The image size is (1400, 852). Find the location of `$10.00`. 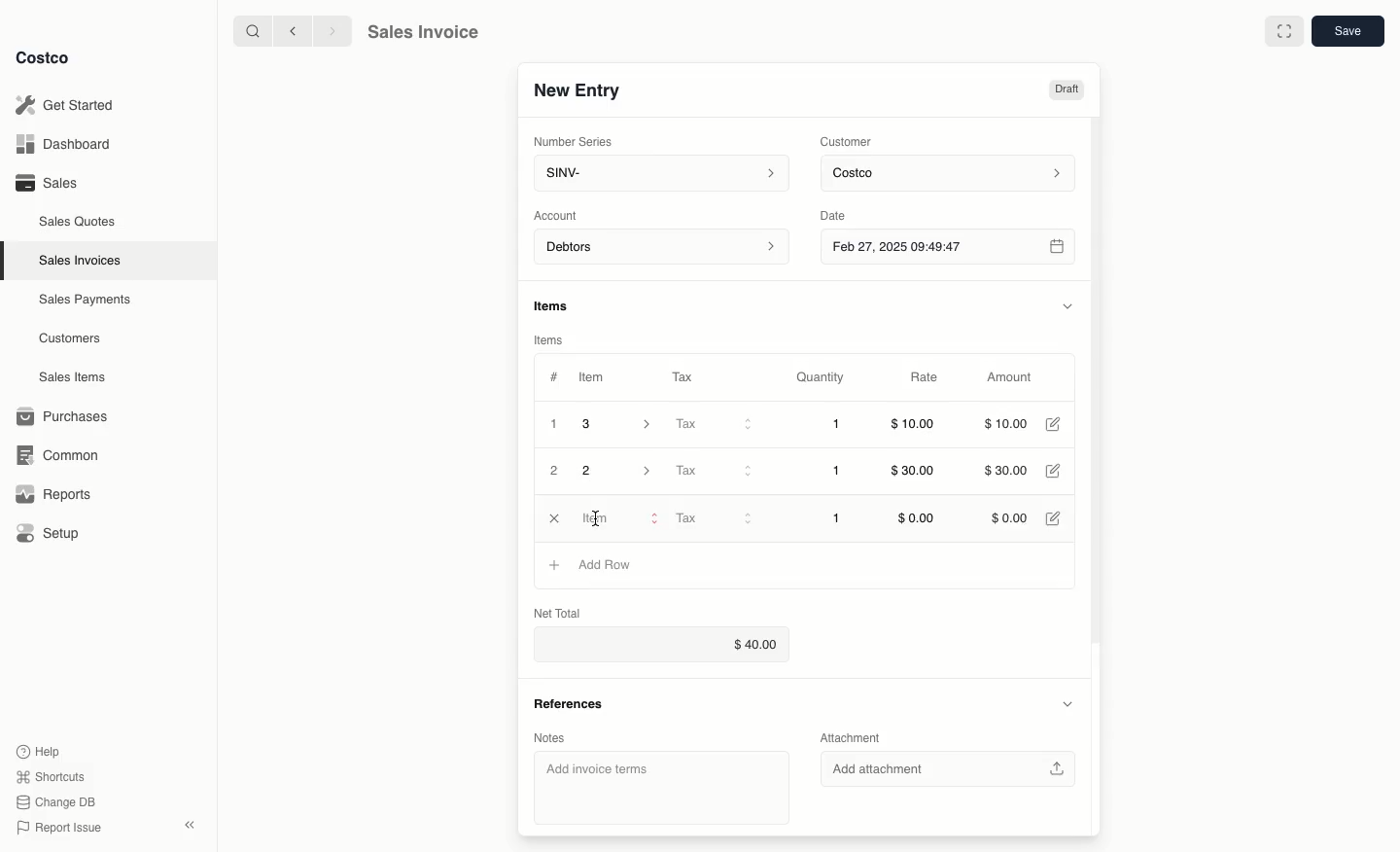

$10.00 is located at coordinates (914, 427).